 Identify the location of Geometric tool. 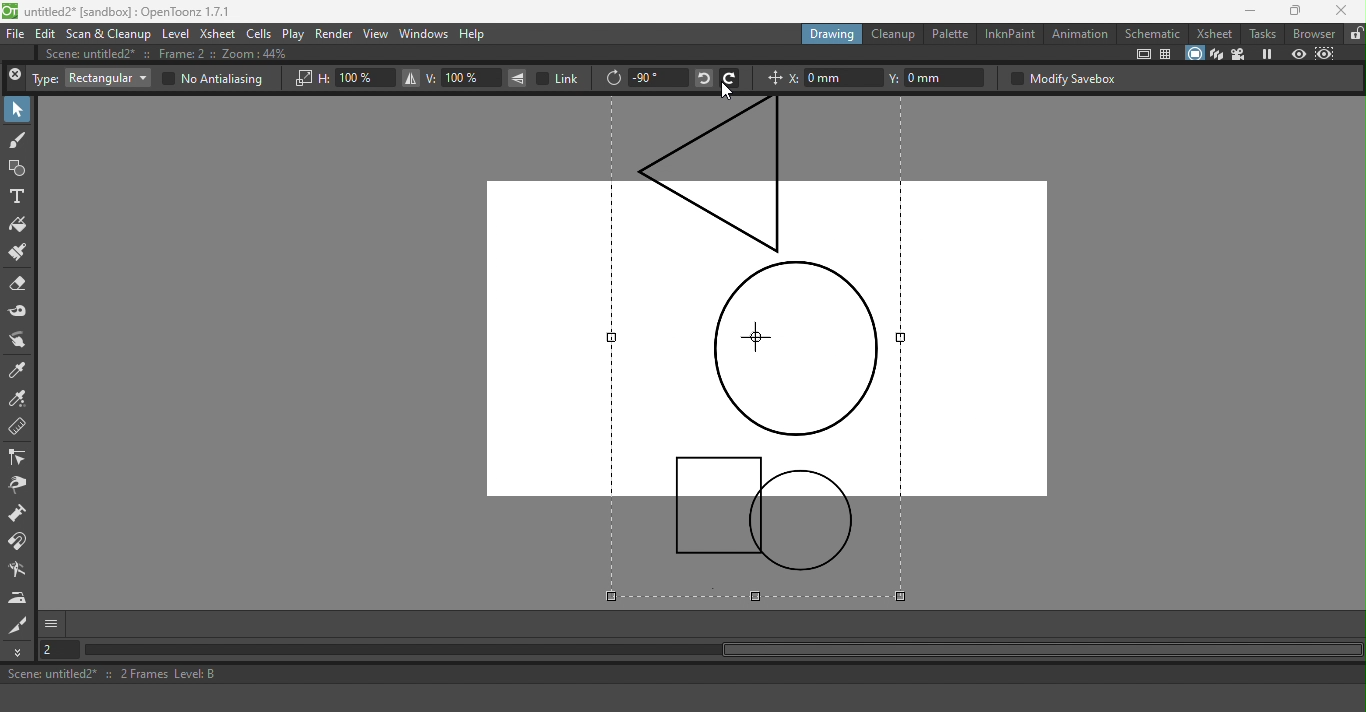
(18, 168).